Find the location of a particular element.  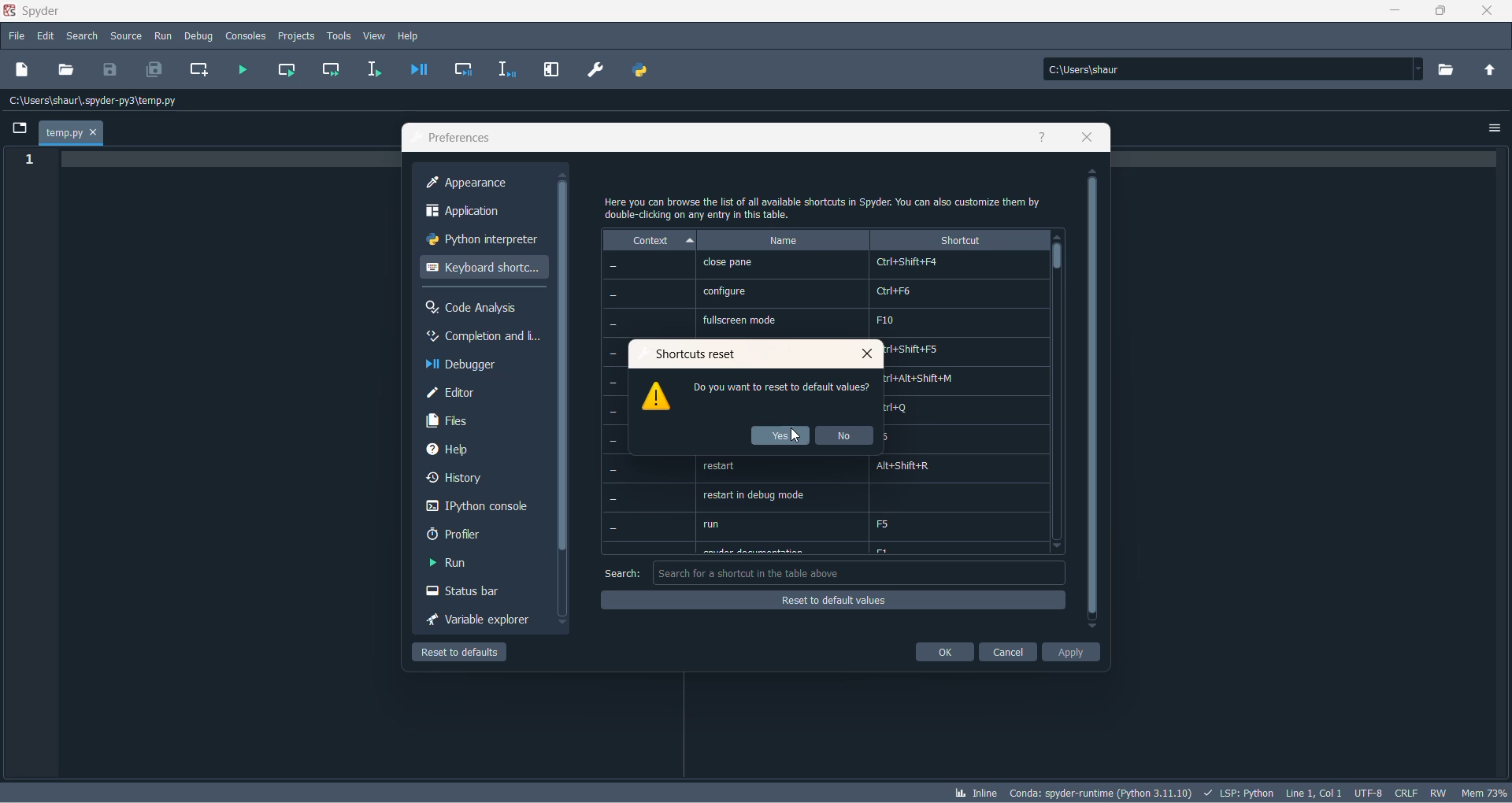

options is located at coordinates (1494, 128).